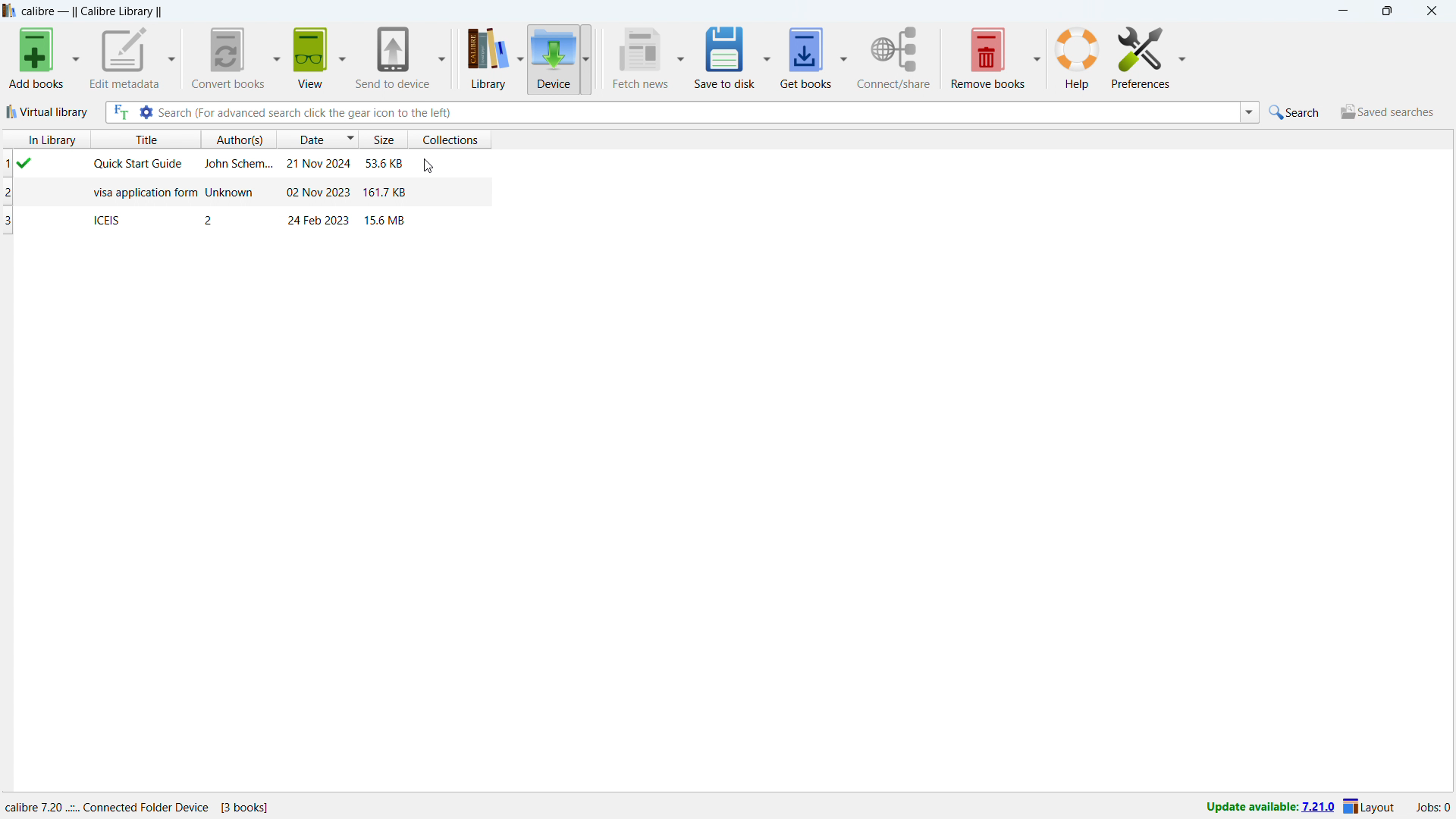  What do you see at coordinates (275, 57) in the screenshot?
I see `convert books options` at bounding box center [275, 57].